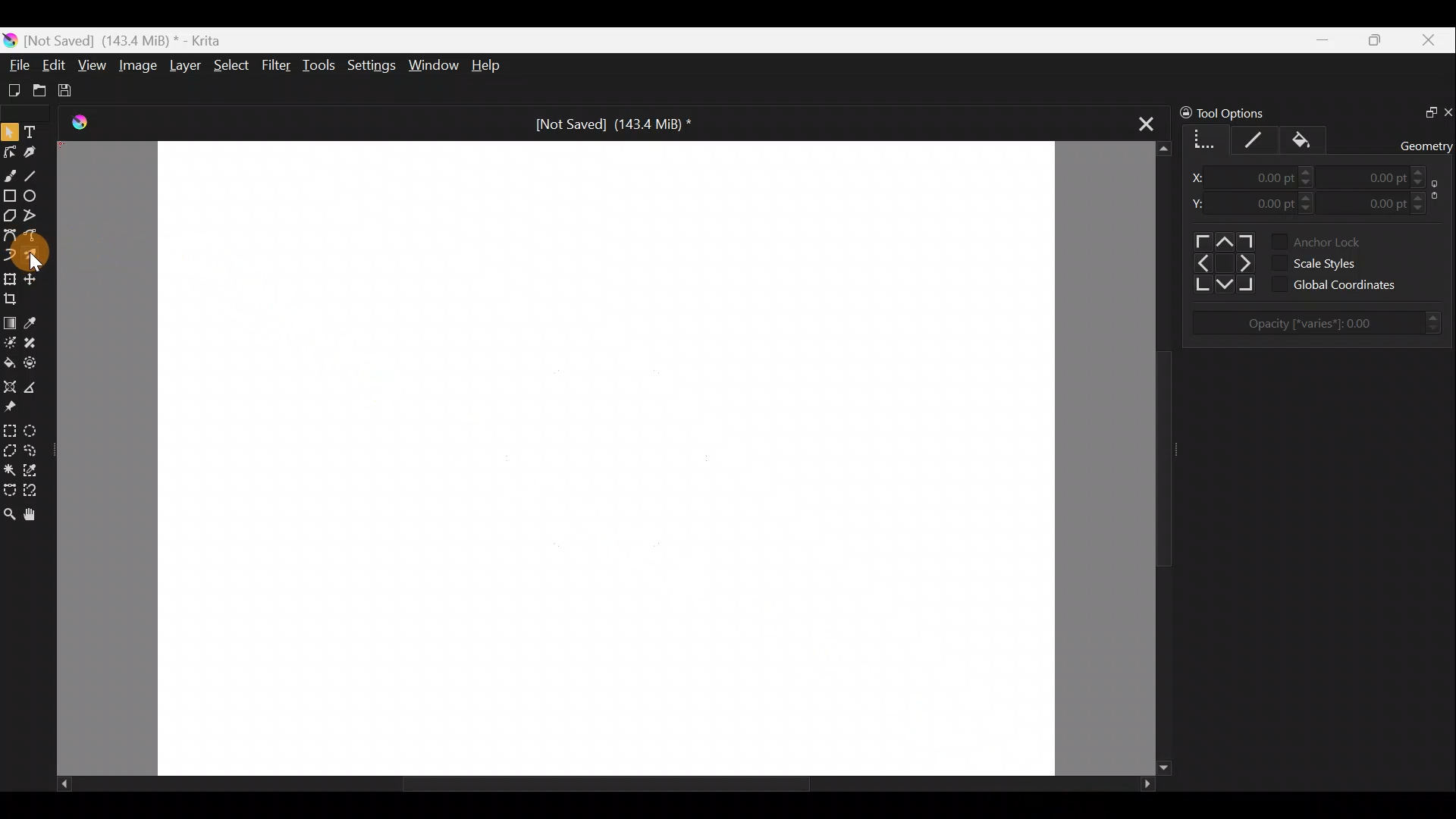 This screenshot has height=819, width=1456. I want to click on Polyline, so click(30, 216).